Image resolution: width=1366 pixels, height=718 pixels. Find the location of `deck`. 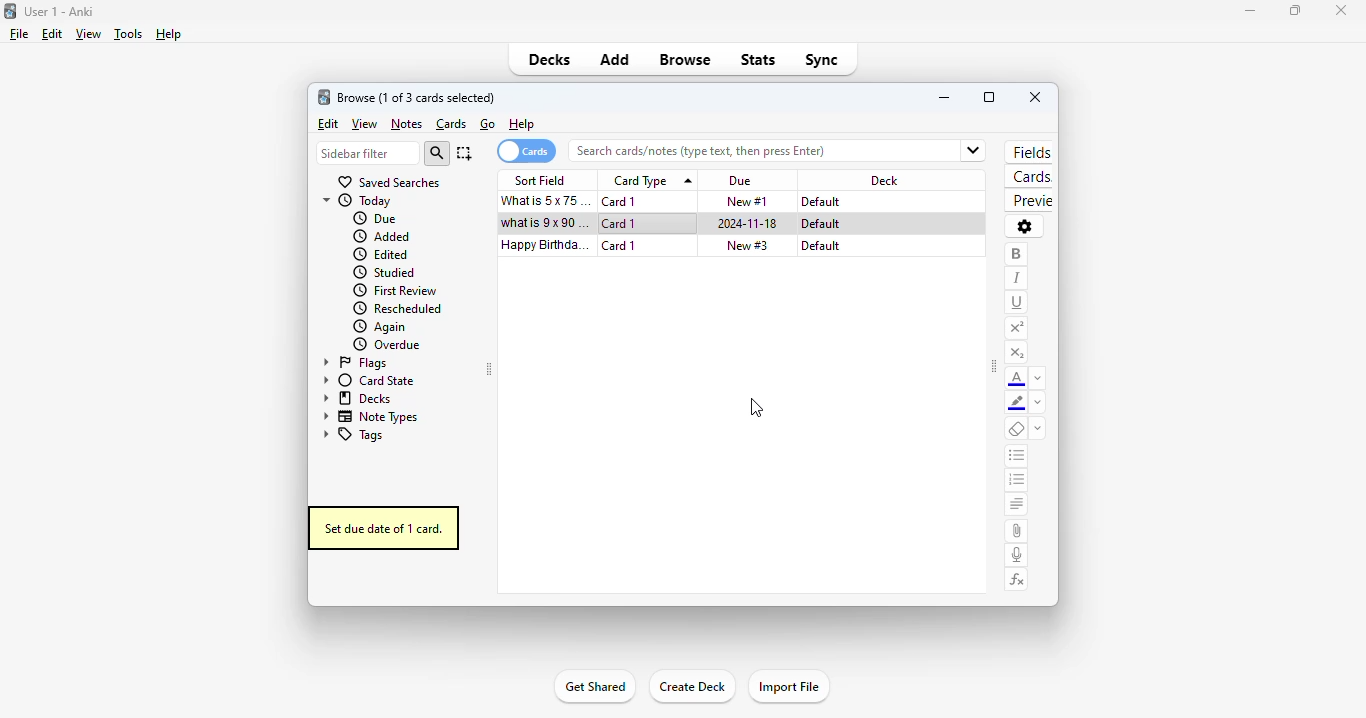

deck is located at coordinates (884, 181).